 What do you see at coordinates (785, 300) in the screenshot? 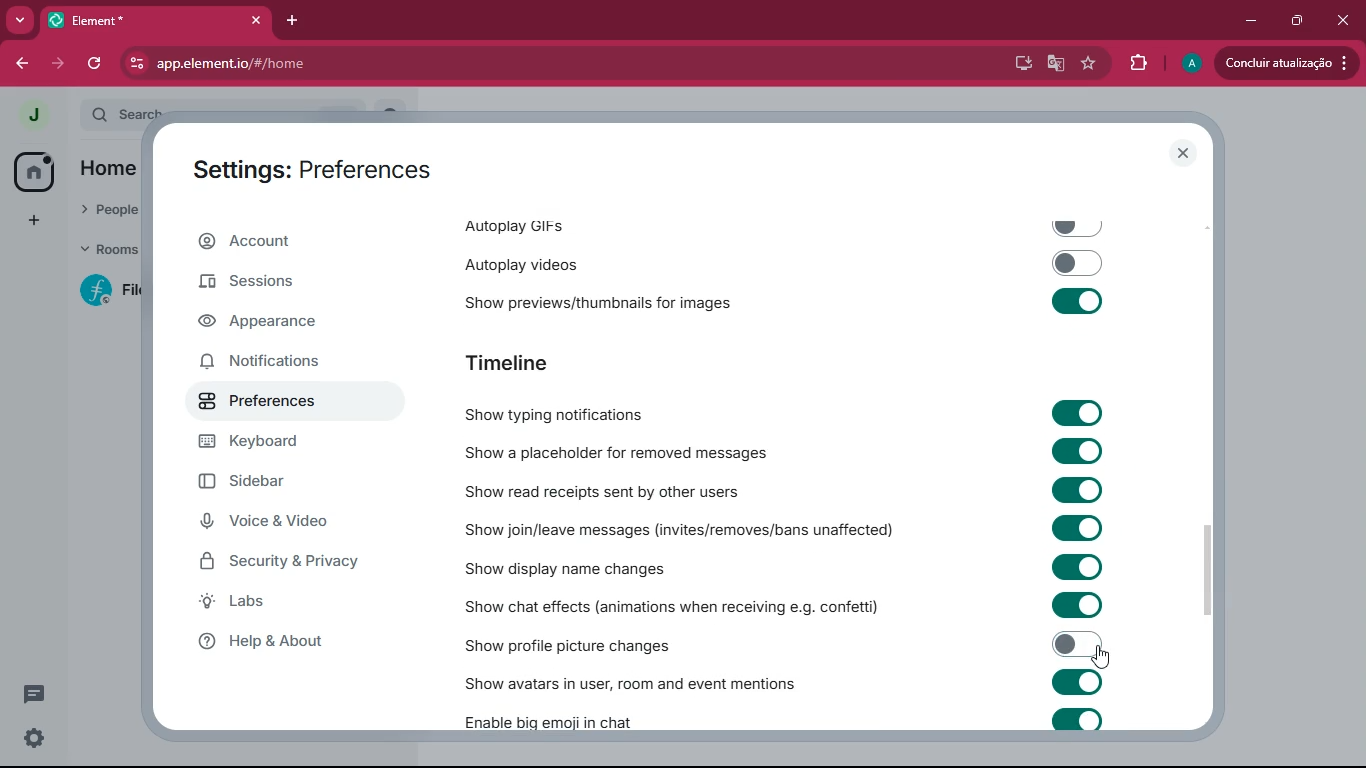
I see `‘Show previews/thumbnails for images` at bounding box center [785, 300].